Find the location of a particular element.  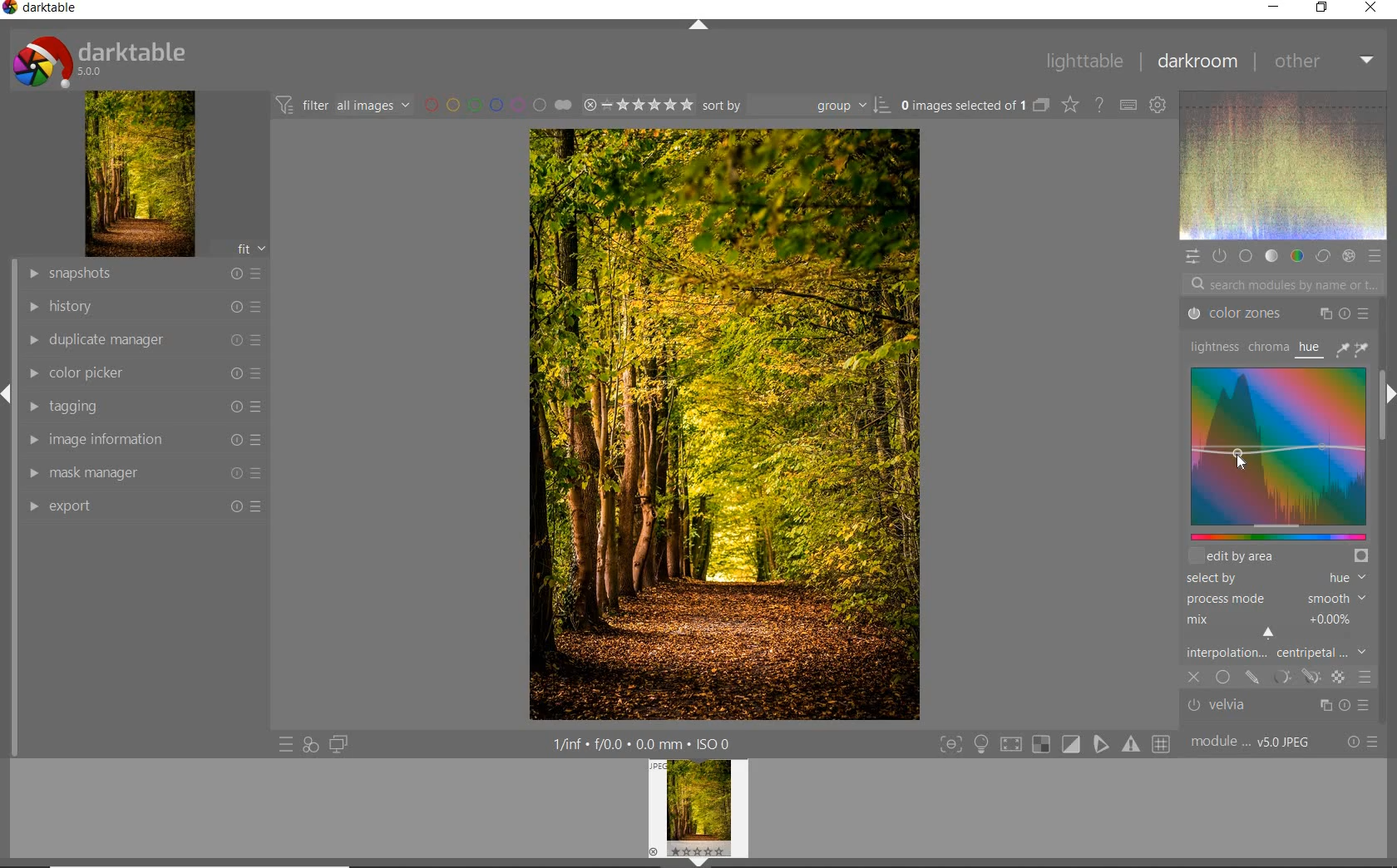

shift+alt+scroll to change height is located at coordinates (1261, 557).